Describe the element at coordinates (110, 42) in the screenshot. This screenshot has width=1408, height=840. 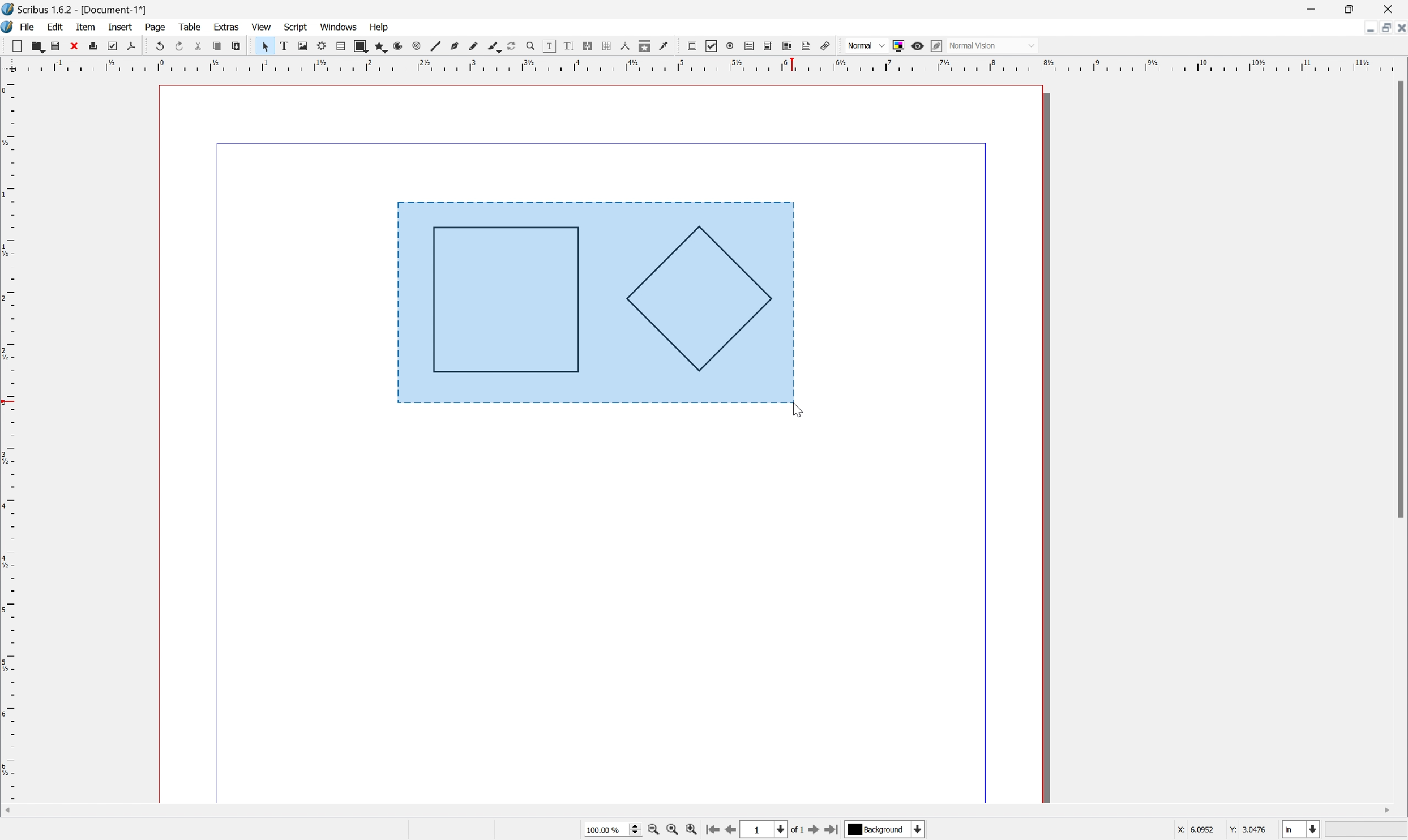
I see `preflight verifier` at that location.